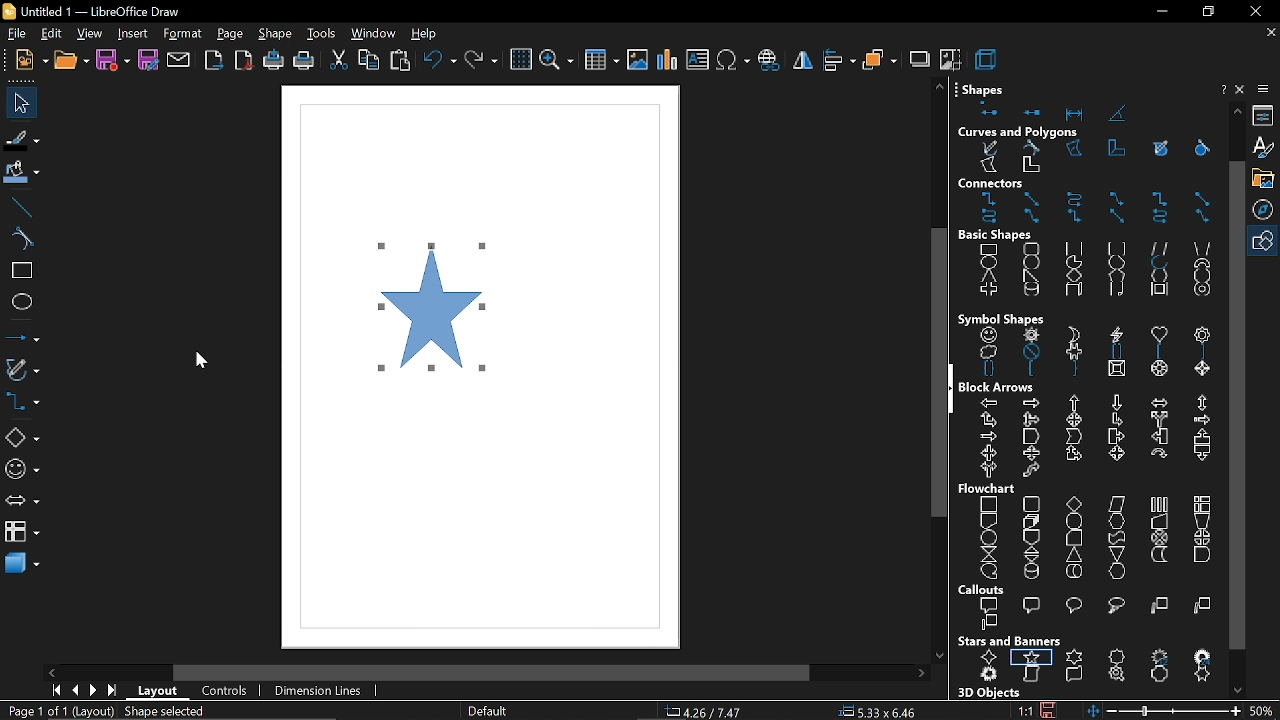 The height and width of the screenshot is (720, 1280). What do you see at coordinates (839, 61) in the screenshot?
I see `align` at bounding box center [839, 61].